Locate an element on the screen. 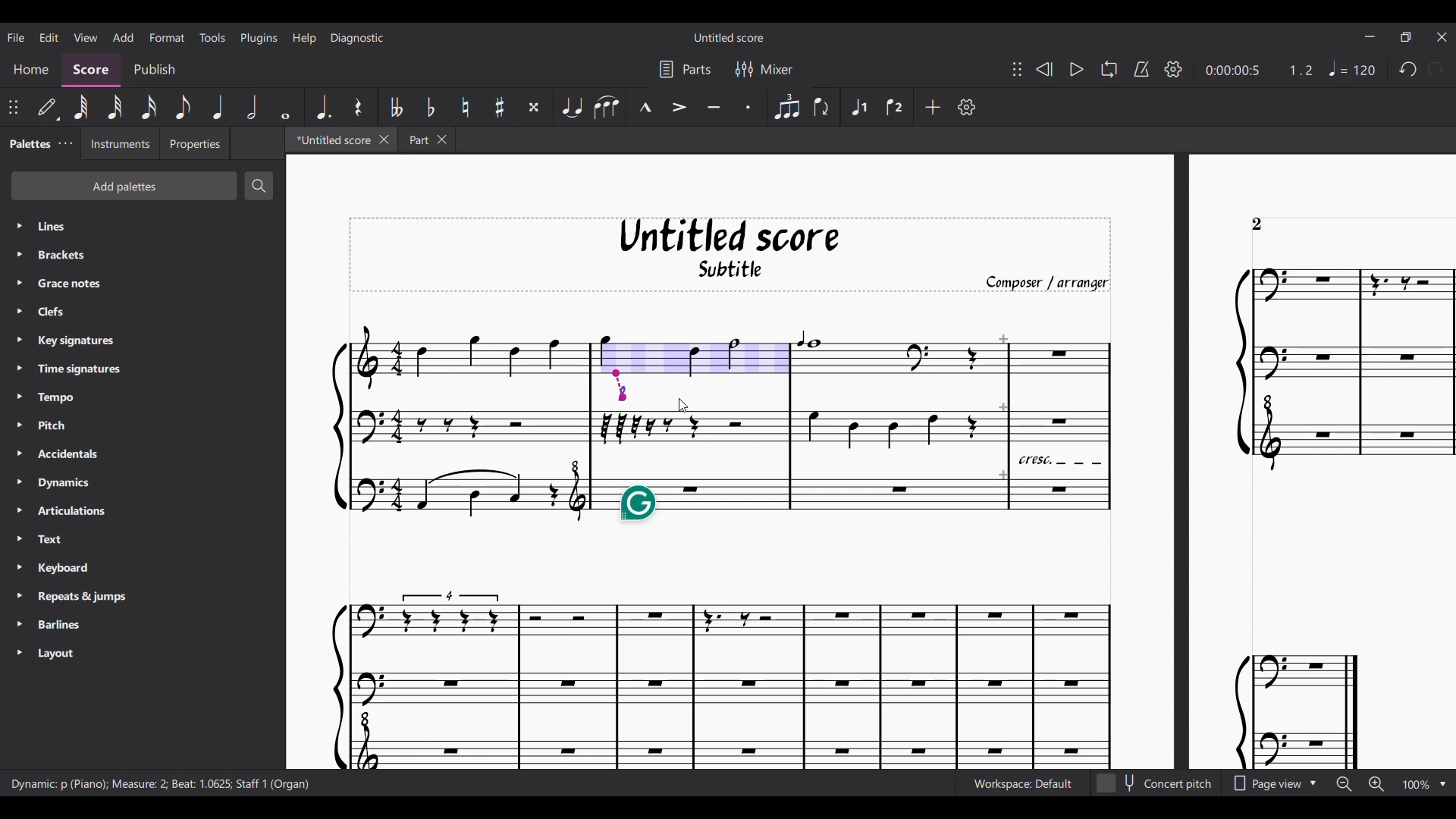 This screenshot has width=1456, height=819. Earlier tab is located at coordinates (426, 139).